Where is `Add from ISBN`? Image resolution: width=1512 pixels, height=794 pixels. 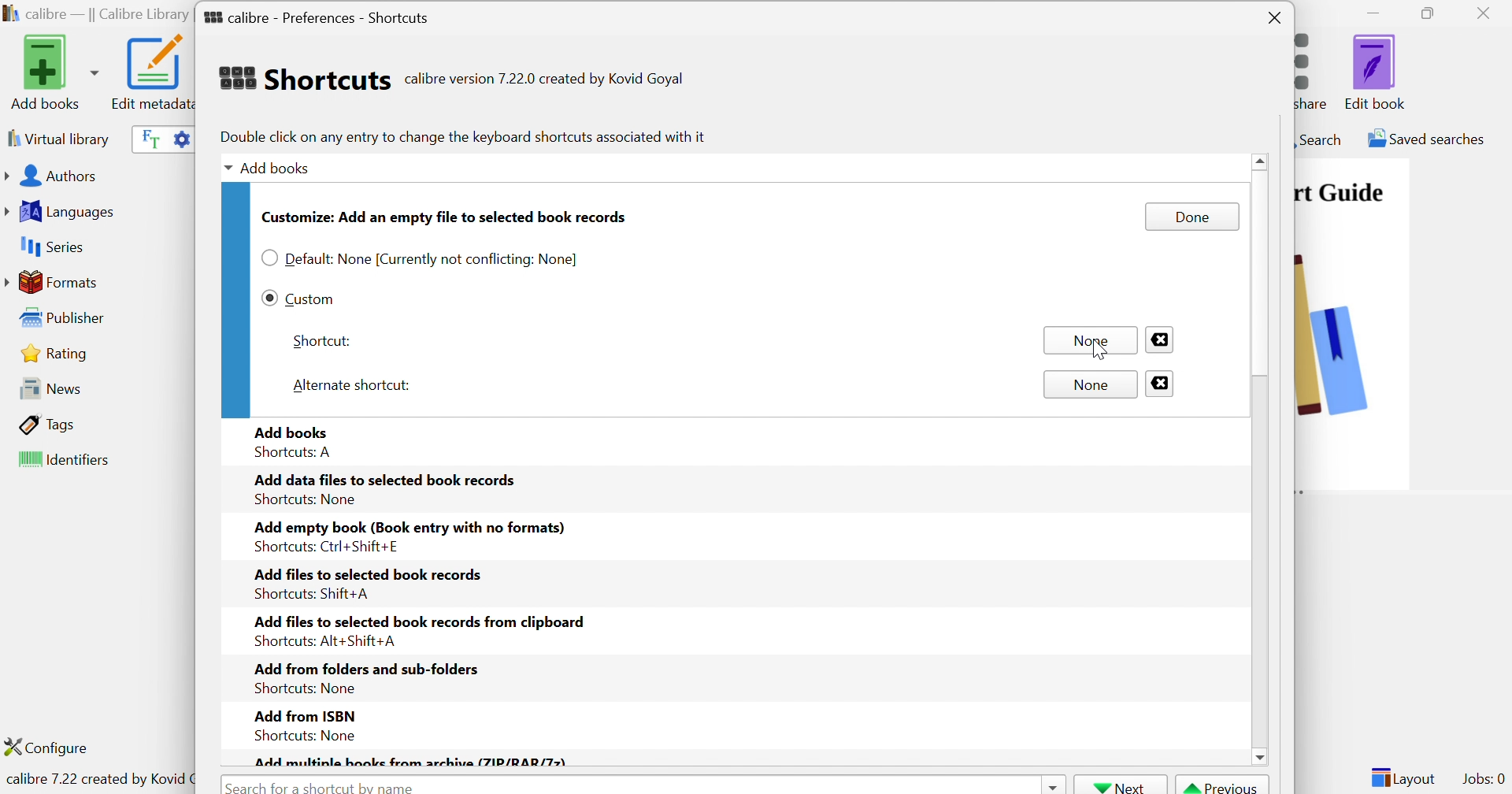 Add from ISBN is located at coordinates (303, 714).